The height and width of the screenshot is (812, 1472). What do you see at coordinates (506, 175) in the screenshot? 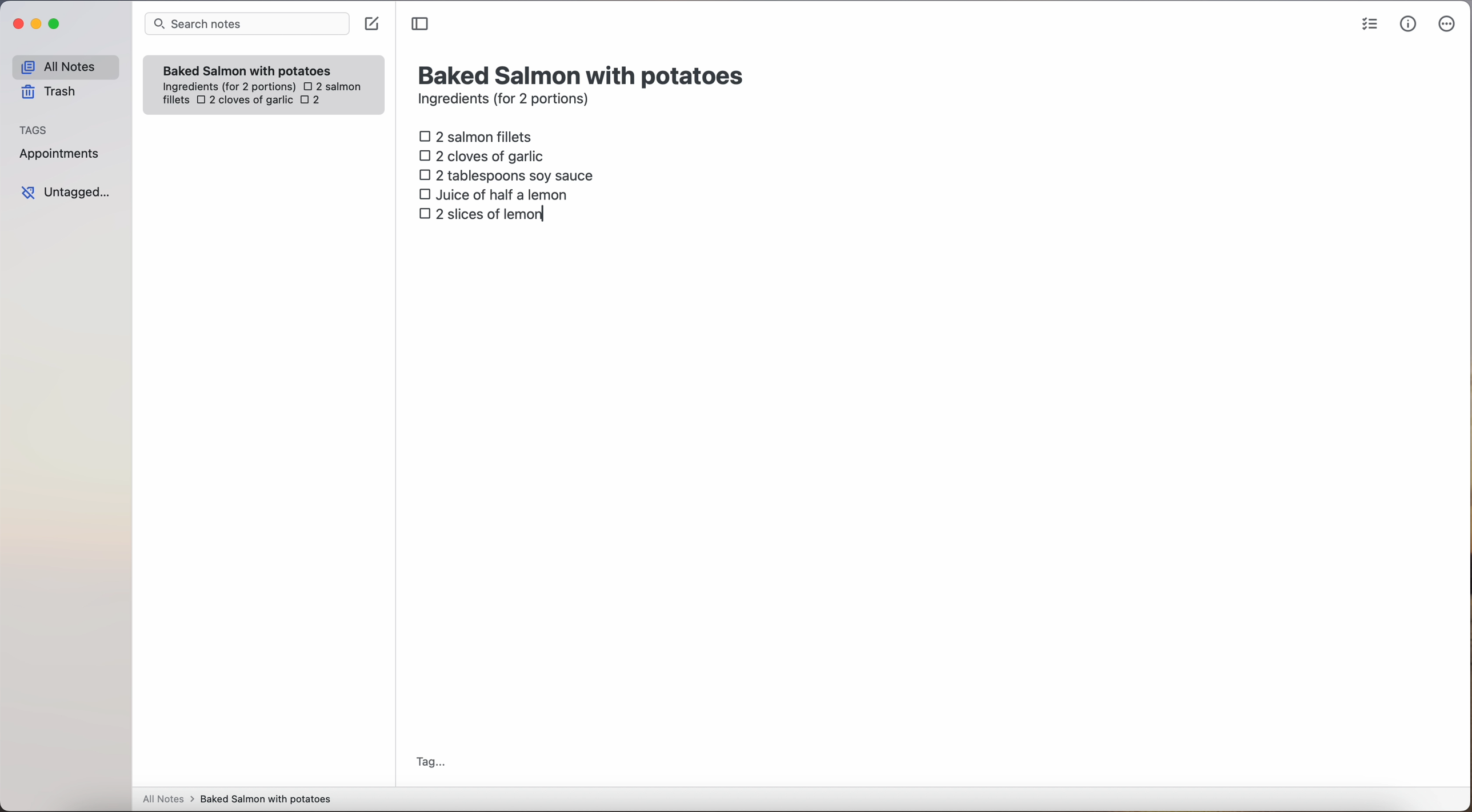
I see `2 tablespoons soy sauce` at bounding box center [506, 175].